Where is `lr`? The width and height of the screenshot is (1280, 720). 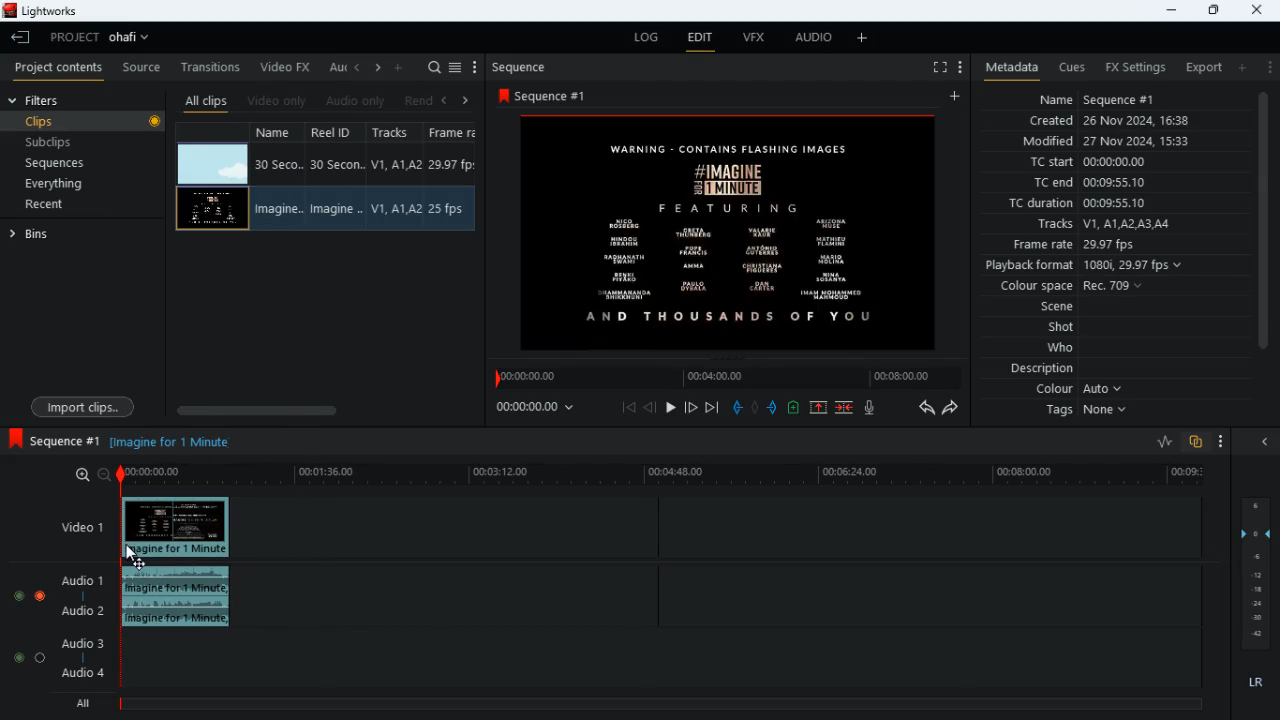
lr is located at coordinates (1250, 683).